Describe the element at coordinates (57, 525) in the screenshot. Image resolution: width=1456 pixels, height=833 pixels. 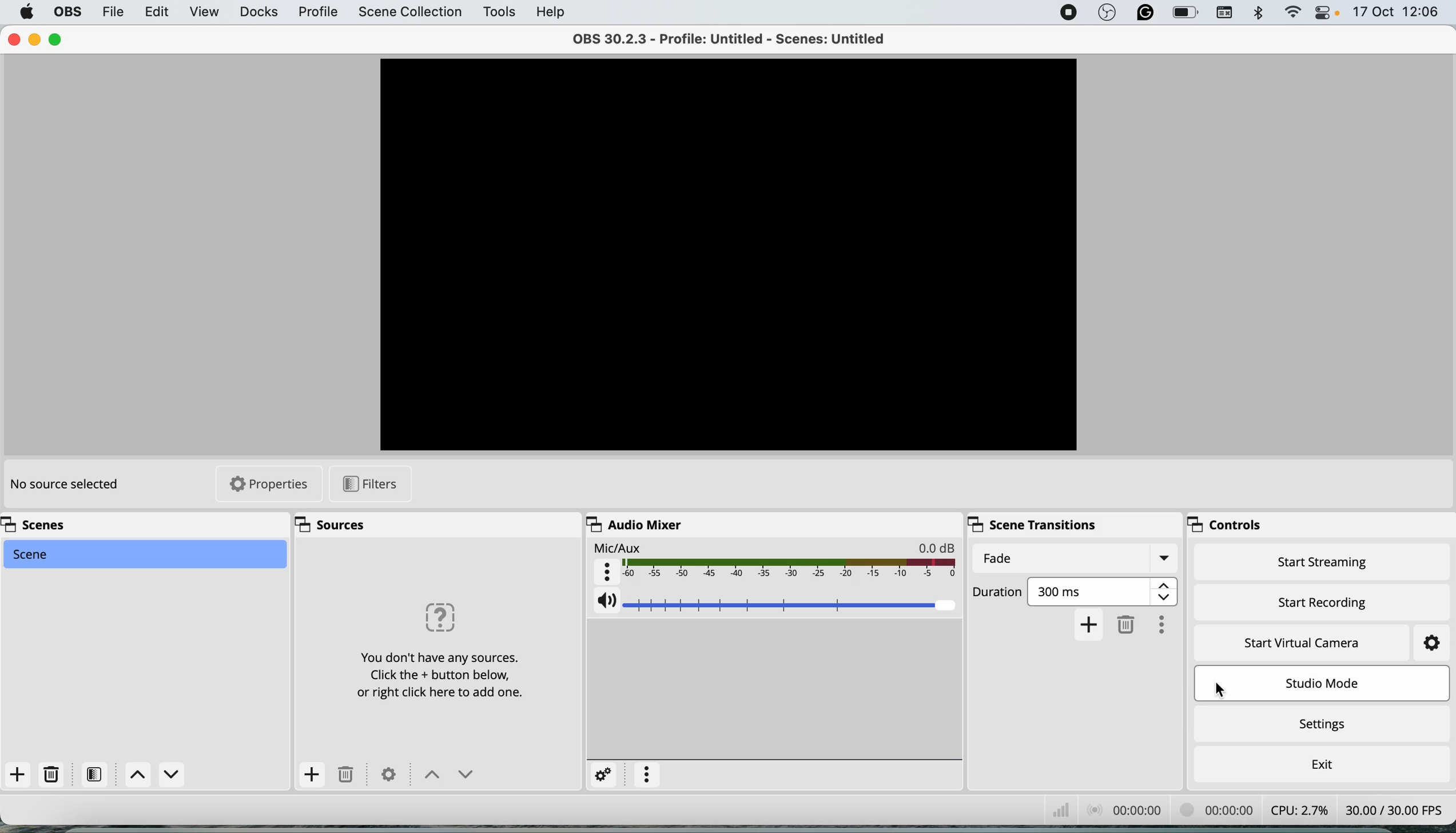
I see `scenes` at that location.